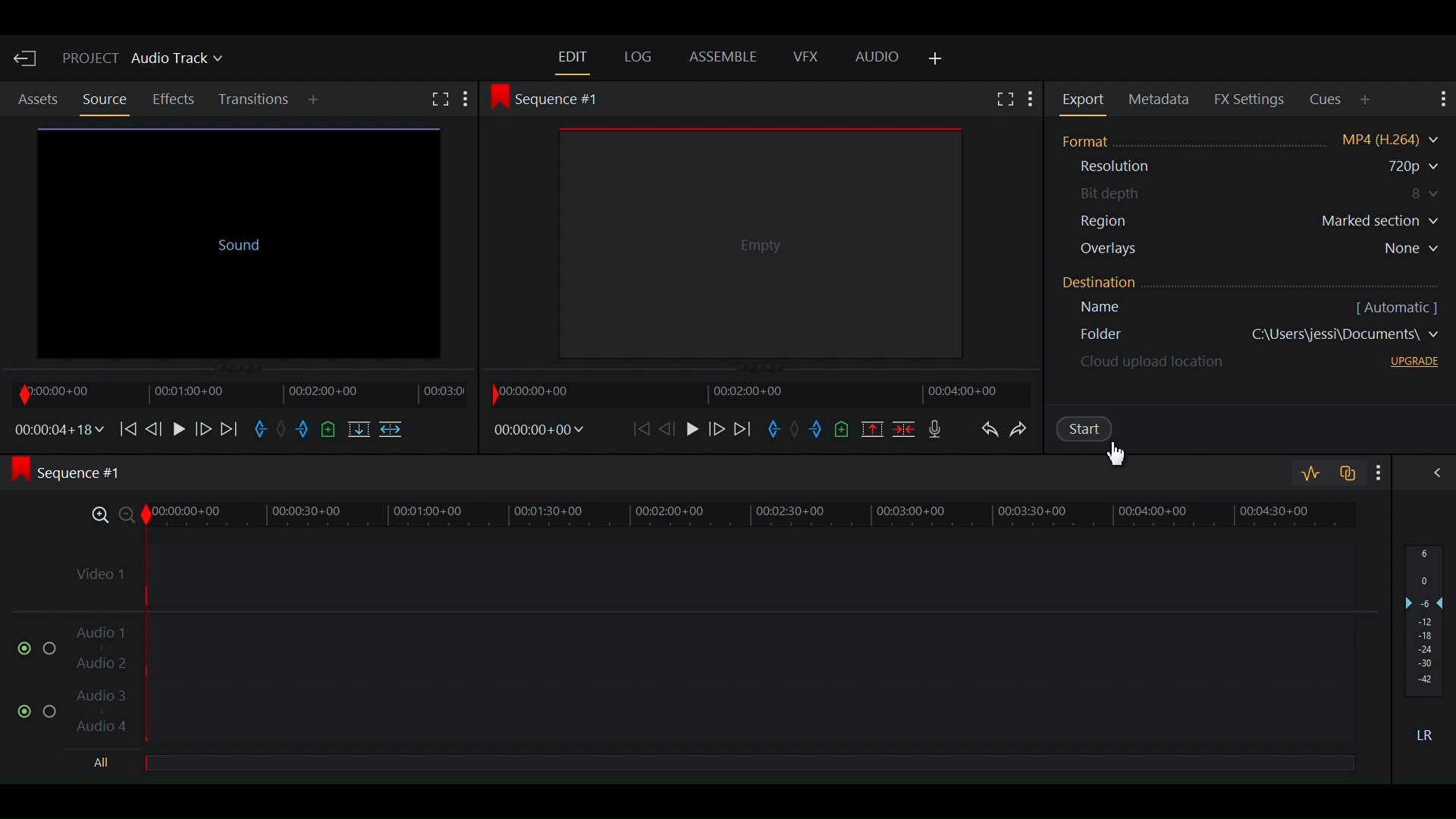 The image size is (1456, 819). Describe the element at coordinates (1031, 101) in the screenshot. I see `Show Settings menu` at that location.